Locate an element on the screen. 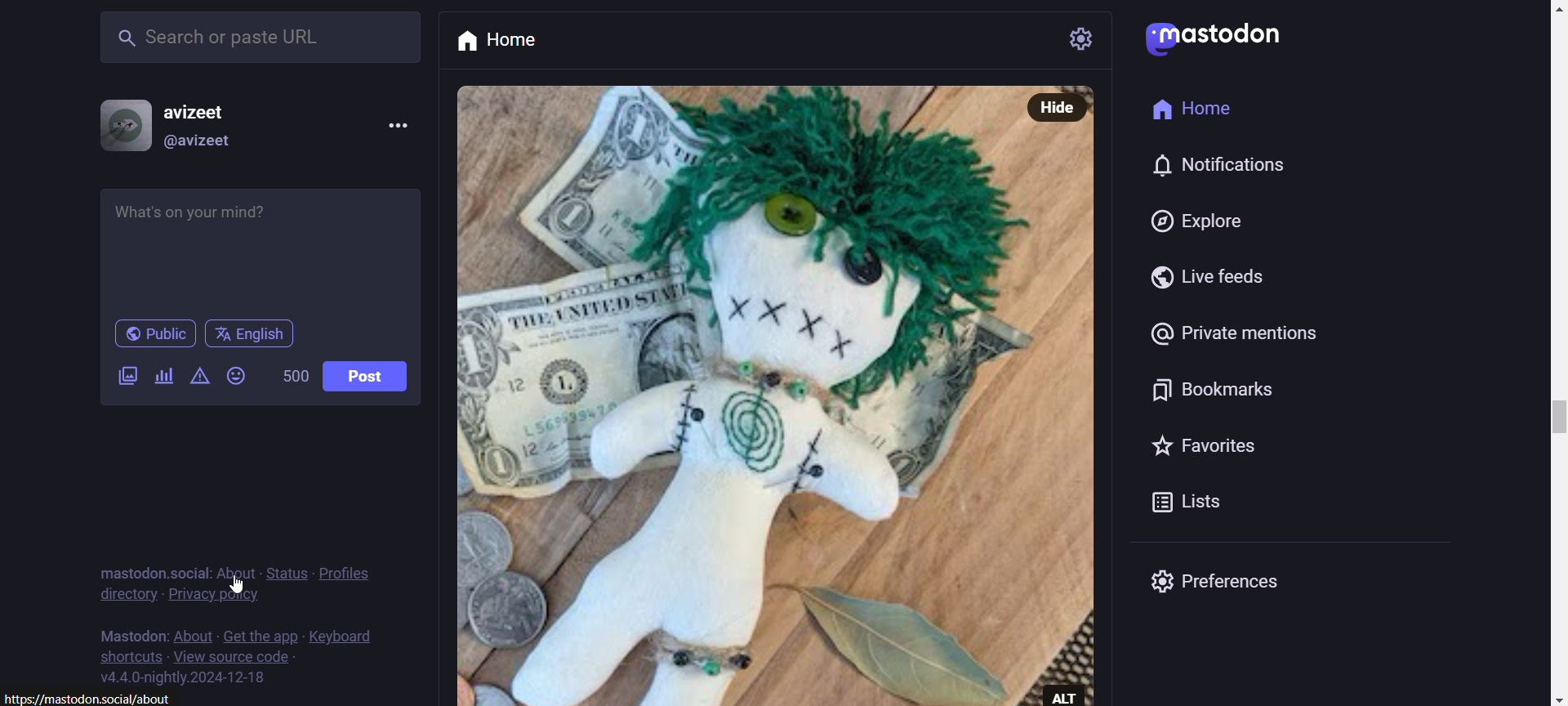 This screenshot has width=1568, height=706. notifications is located at coordinates (1225, 165).